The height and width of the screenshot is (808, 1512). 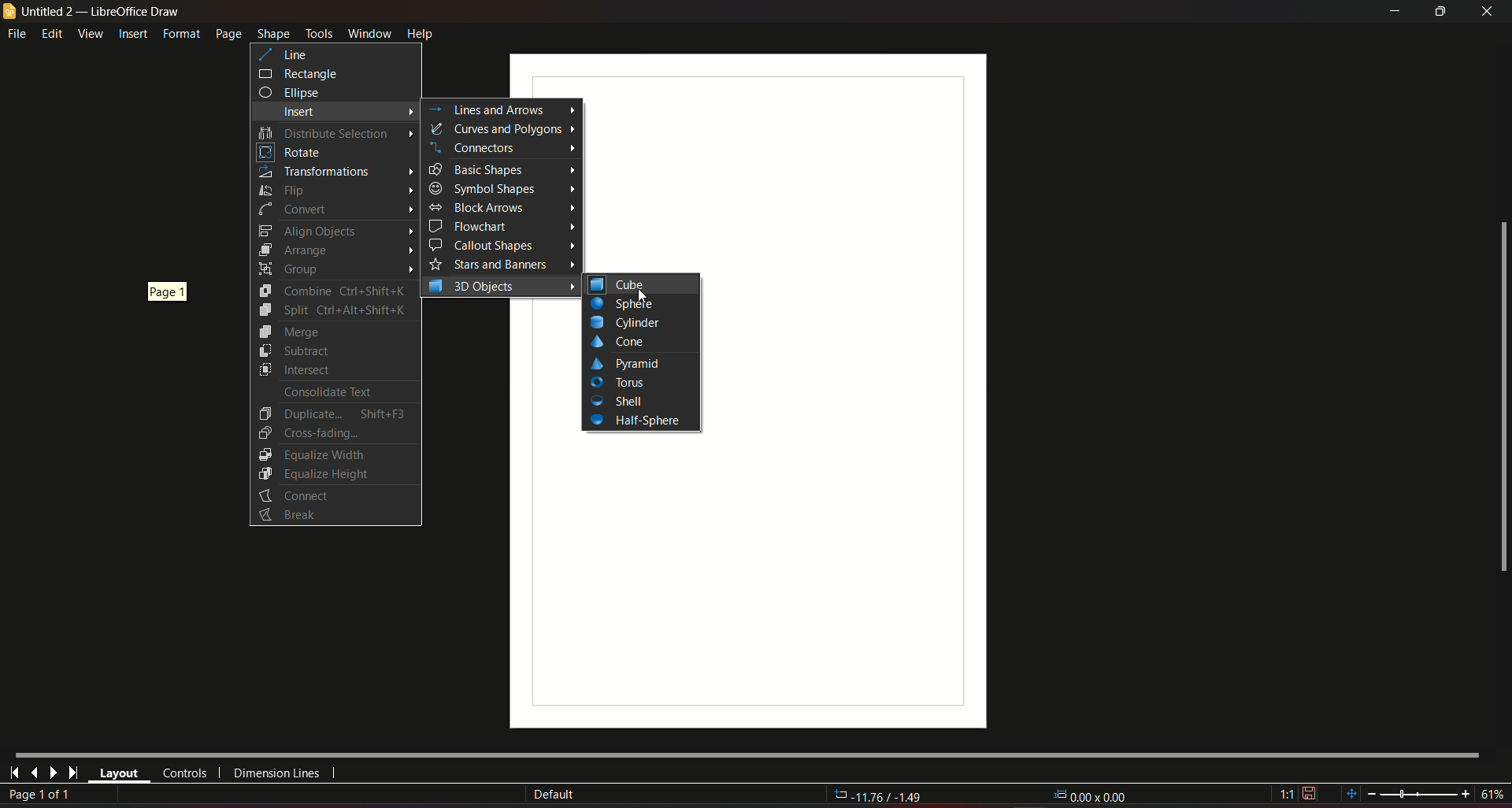 What do you see at coordinates (569, 287) in the screenshot?
I see `Arrow` at bounding box center [569, 287].